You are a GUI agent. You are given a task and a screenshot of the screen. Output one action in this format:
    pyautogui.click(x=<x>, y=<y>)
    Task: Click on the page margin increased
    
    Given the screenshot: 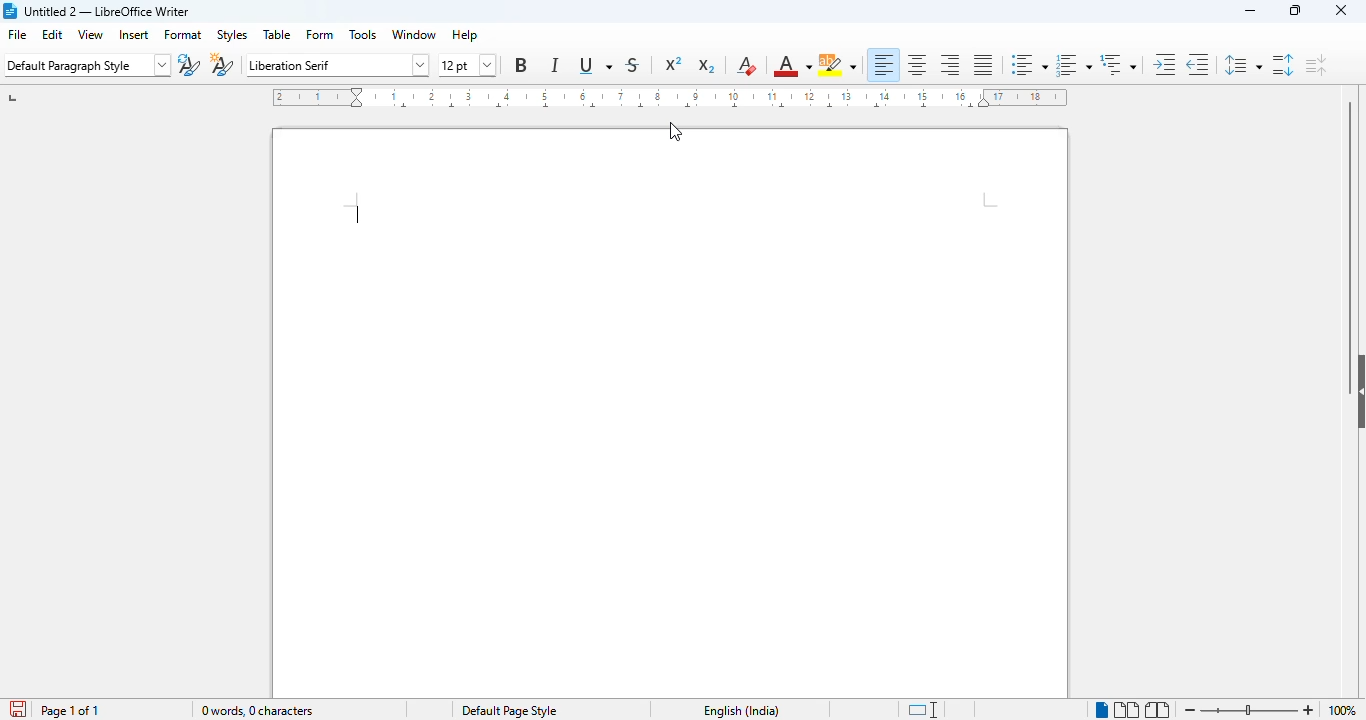 What is the action you would take?
    pyautogui.click(x=353, y=214)
    